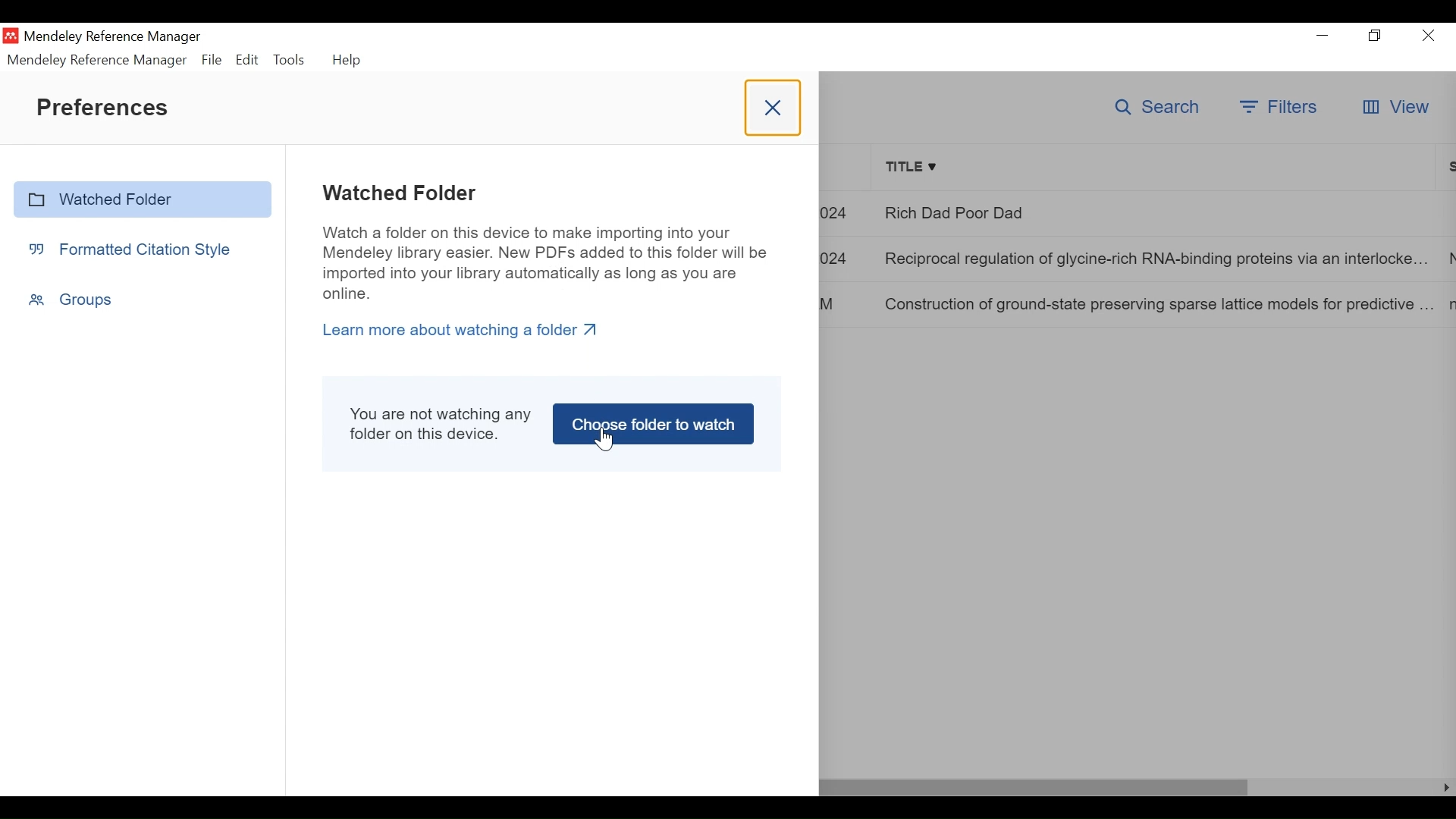 This screenshot has width=1456, height=819. What do you see at coordinates (1154, 108) in the screenshot?
I see `Search` at bounding box center [1154, 108].